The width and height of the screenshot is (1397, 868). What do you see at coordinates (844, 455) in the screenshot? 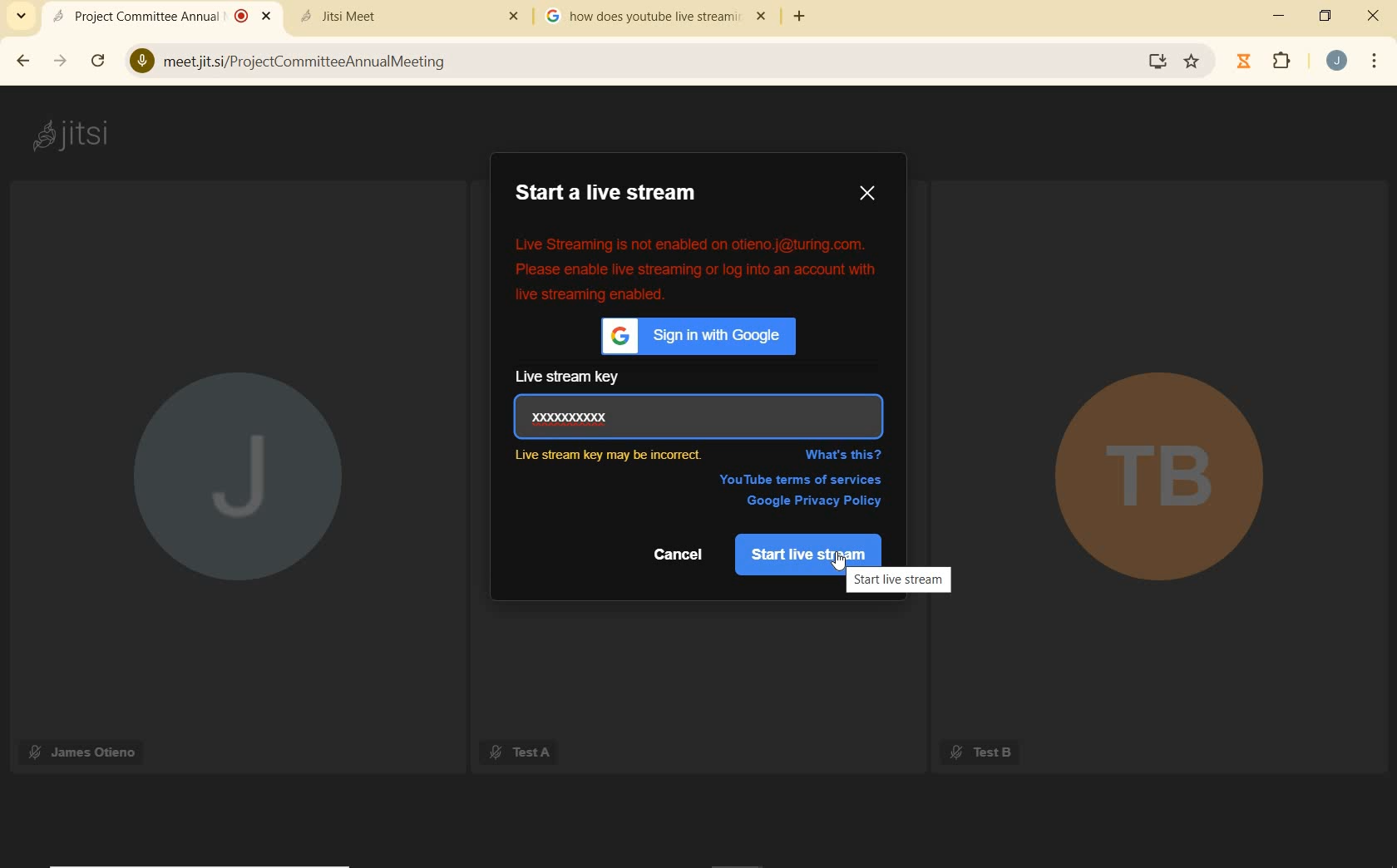
I see `WHAT'S THIS?` at bounding box center [844, 455].